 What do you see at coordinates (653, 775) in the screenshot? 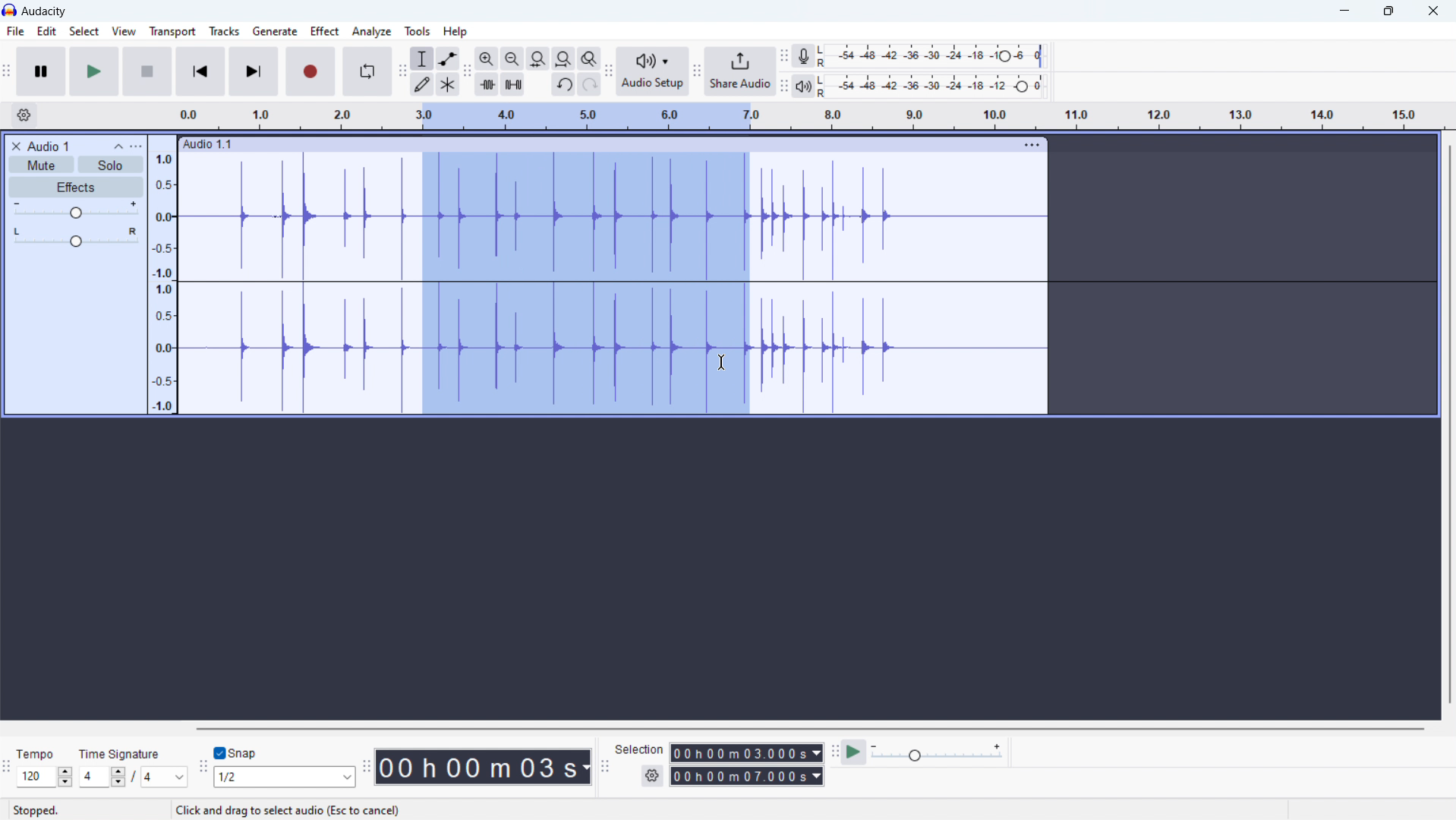
I see `settings` at bounding box center [653, 775].